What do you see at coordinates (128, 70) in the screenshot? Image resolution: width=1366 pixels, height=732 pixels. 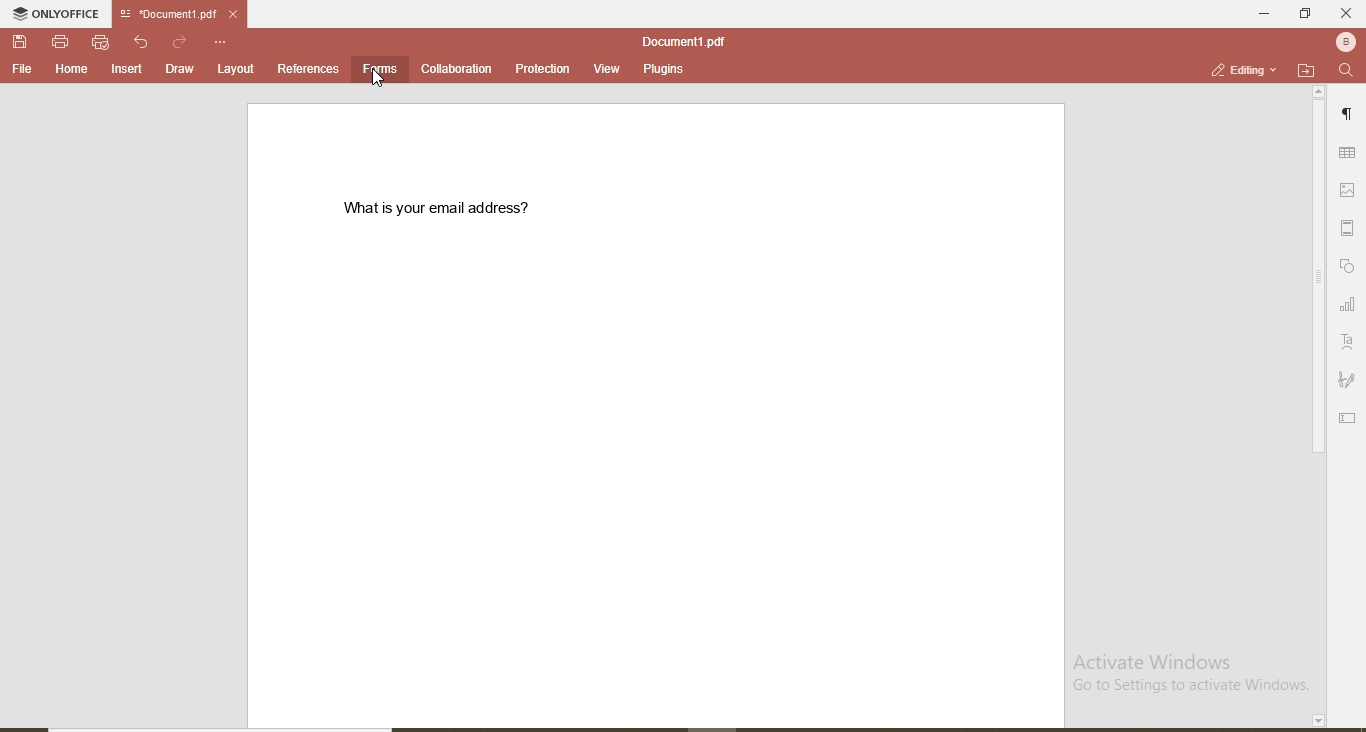 I see `insert` at bounding box center [128, 70].